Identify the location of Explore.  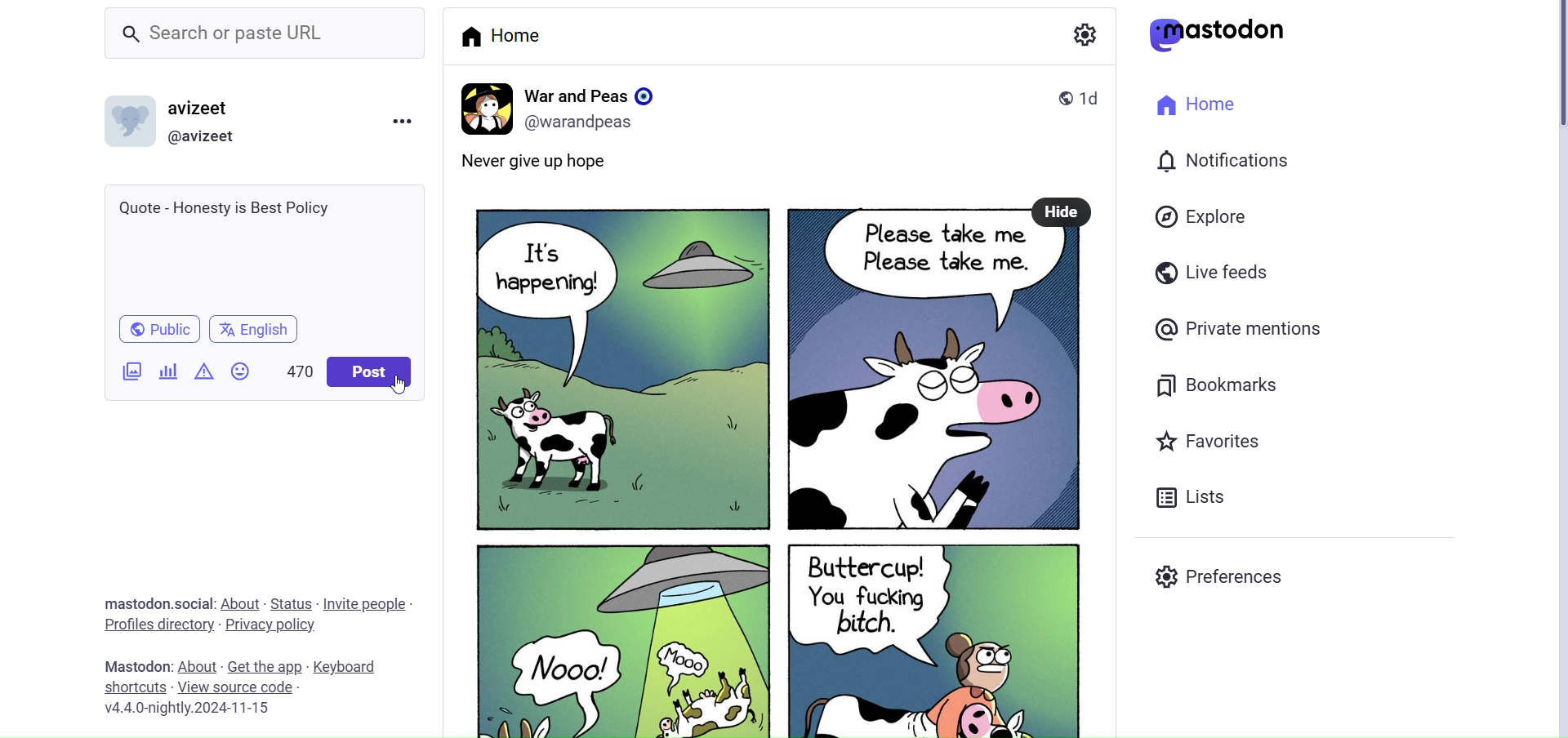
(1200, 216).